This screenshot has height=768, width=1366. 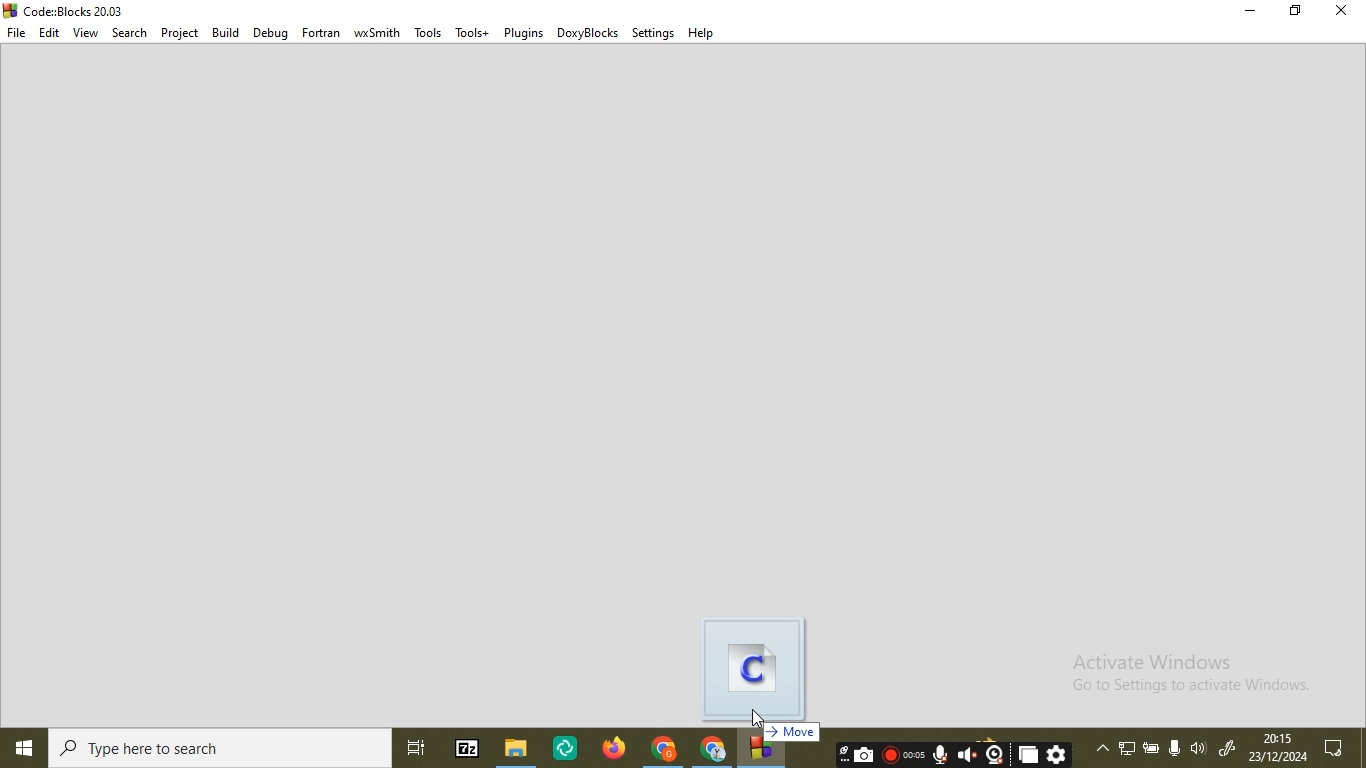 I want to click on Restore, so click(x=1292, y=12).